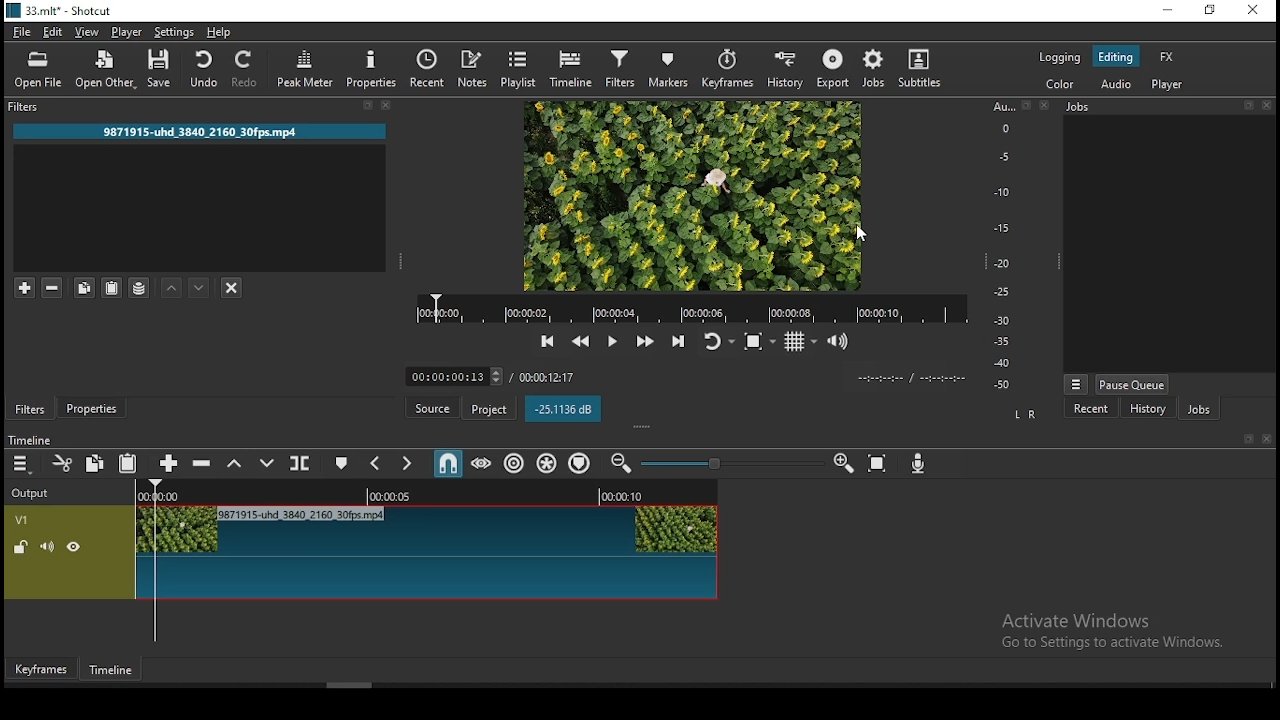 This screenshot has height=720, width=1280. Describe the element at coordinates (473, 68) in the screenshot. I see `notes` at that location.